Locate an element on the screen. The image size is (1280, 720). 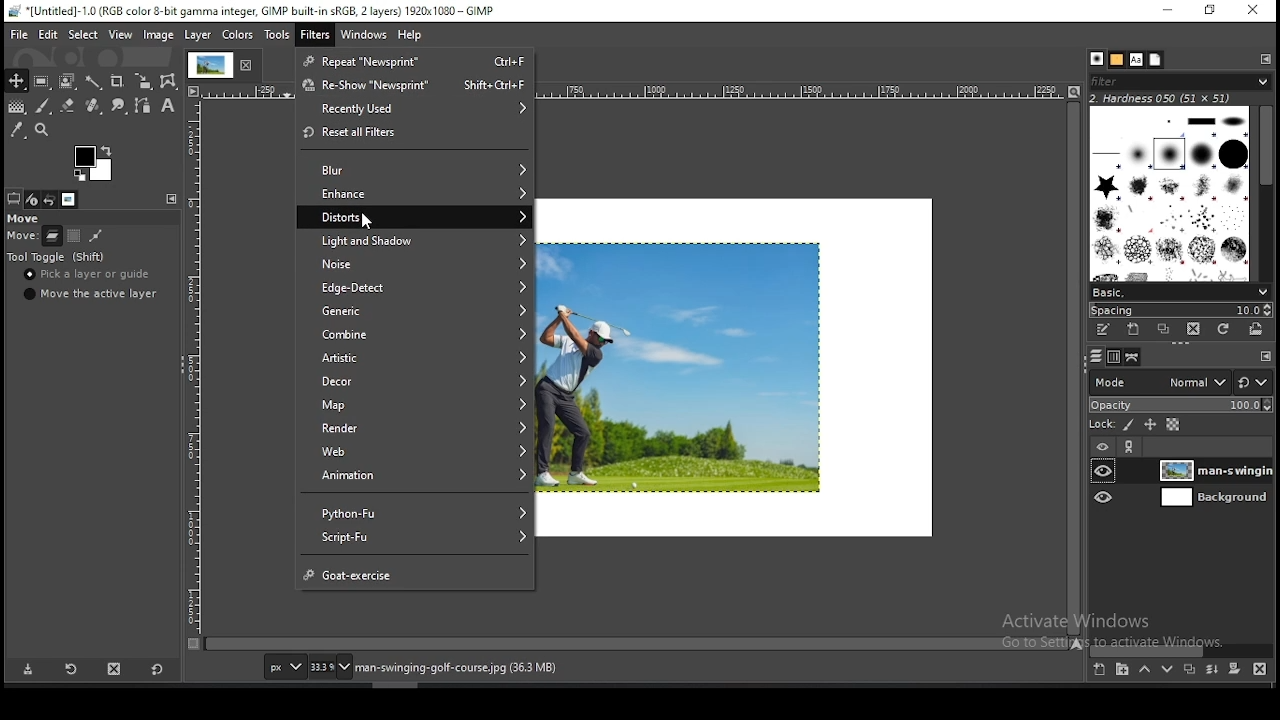
delete layer is located at coordinates (1264, 669).